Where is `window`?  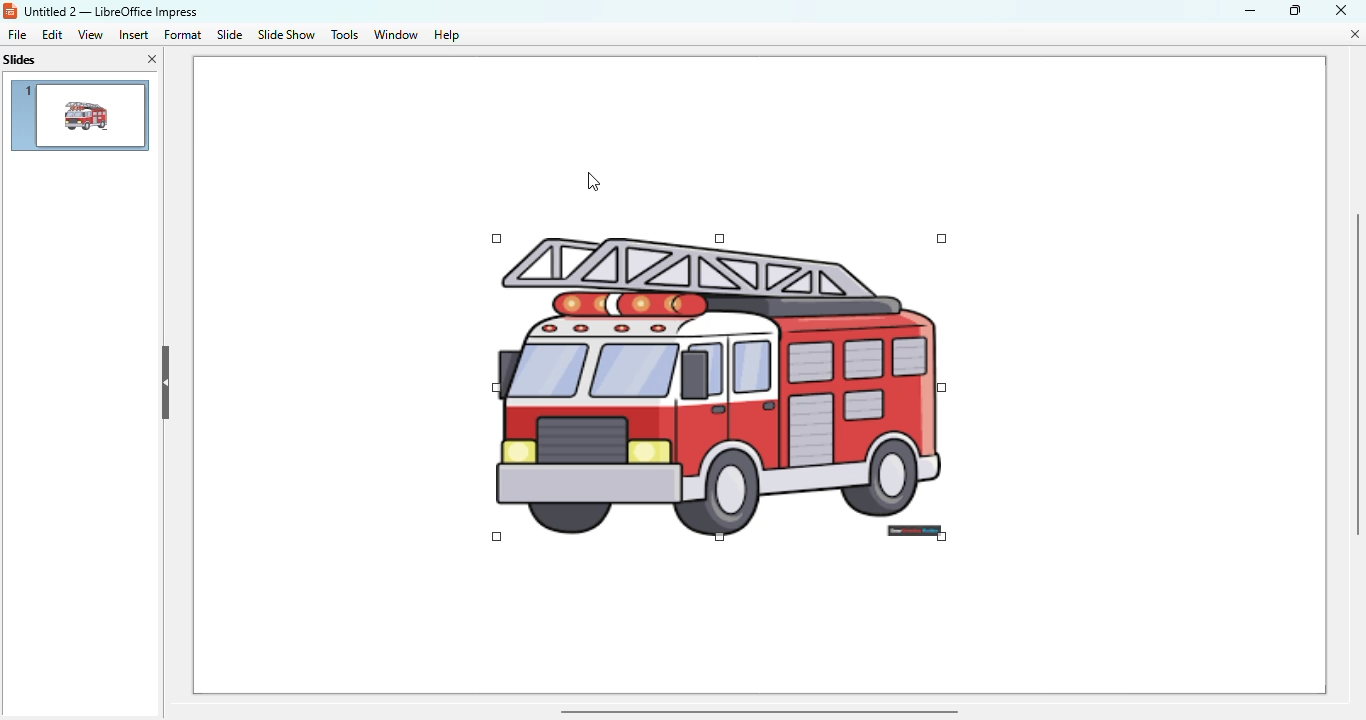
window is located at coordinates (394, 34).